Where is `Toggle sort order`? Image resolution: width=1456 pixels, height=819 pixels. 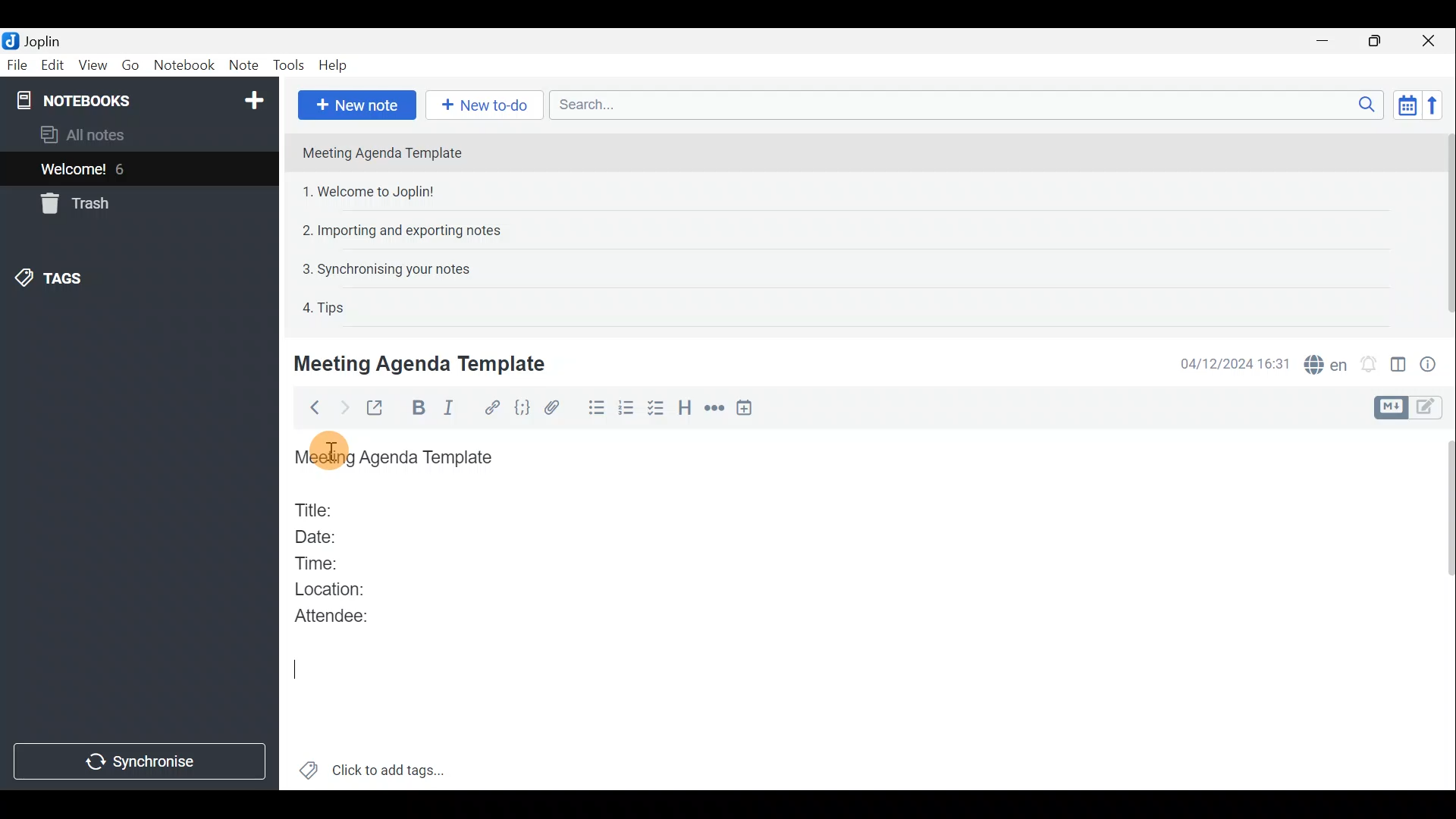 Toggle sort order is located at coordinates (1404, 103).